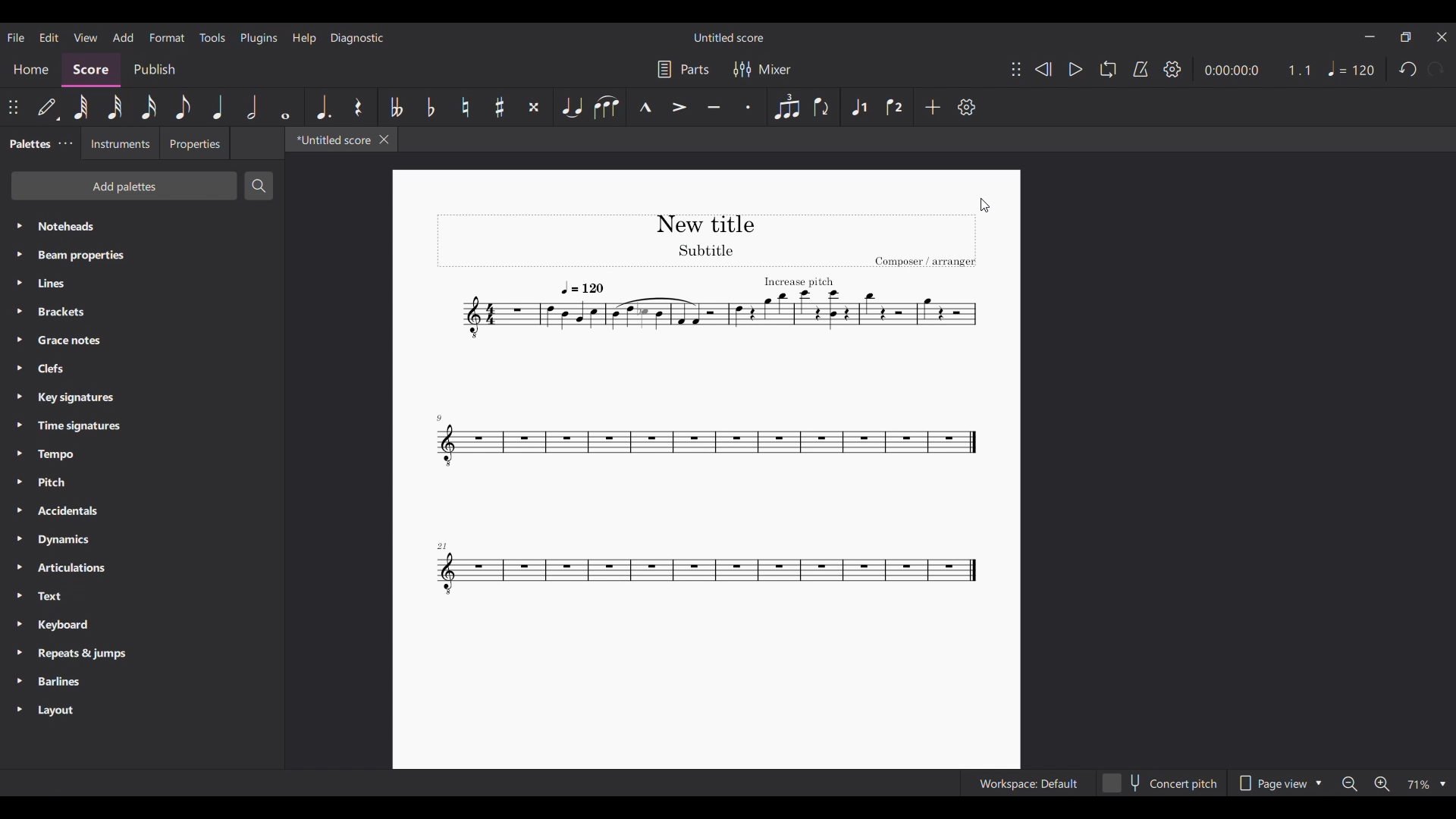  I want to click on Tie, so click(571, 107).